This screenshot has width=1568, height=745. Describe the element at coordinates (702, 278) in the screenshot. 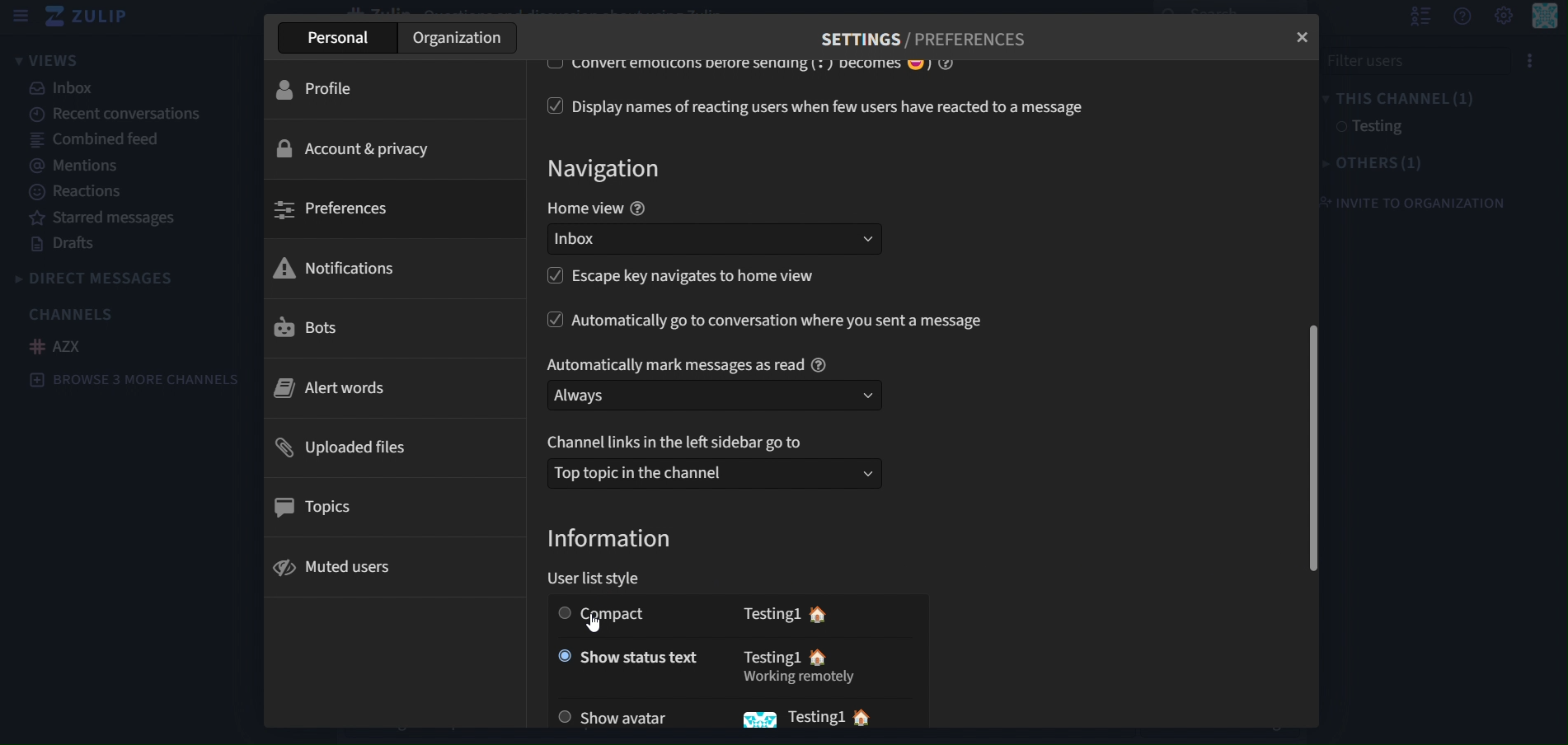

I see `escape key navigates to home view` at that location.